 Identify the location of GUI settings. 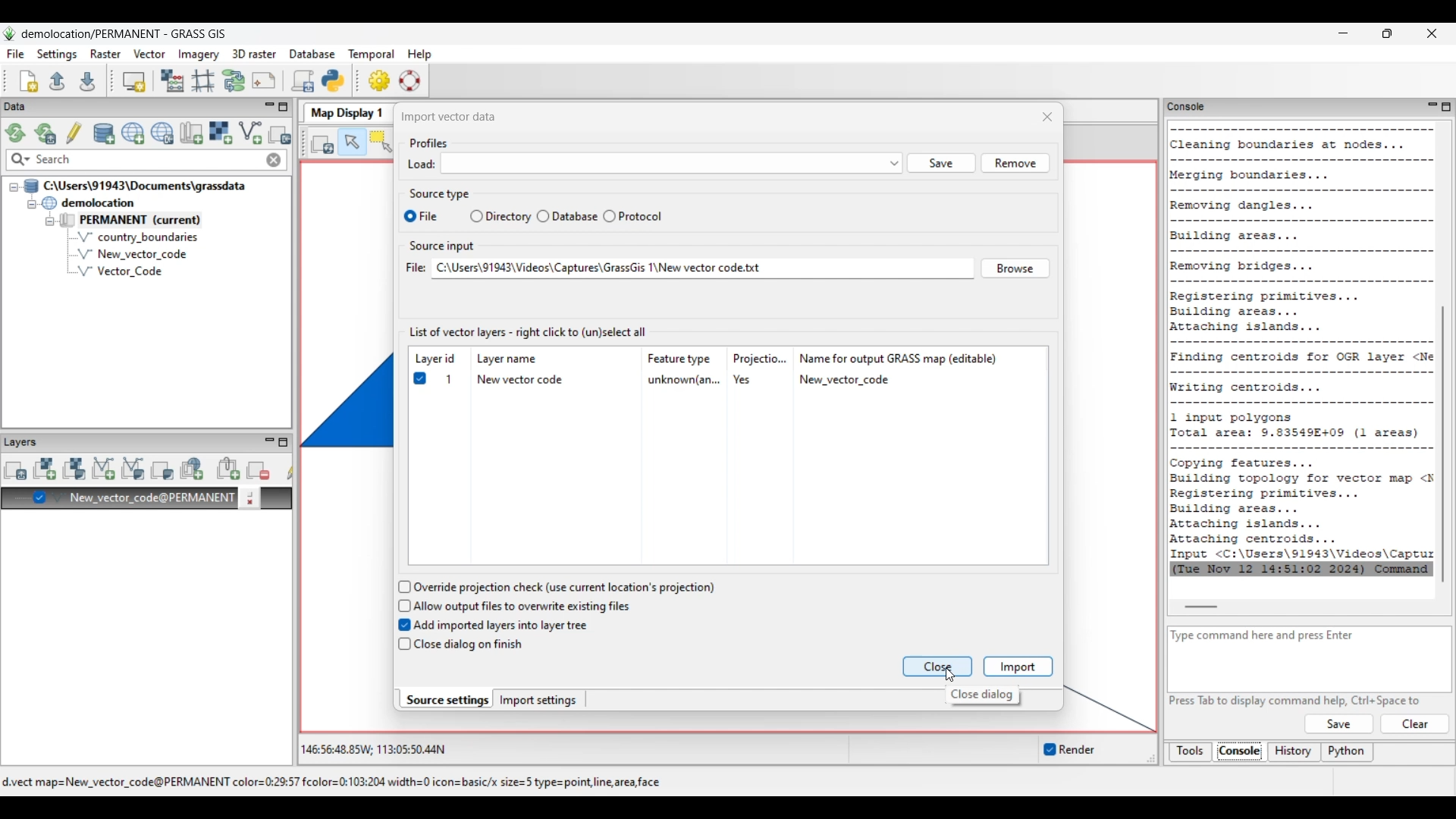
(380, 80).